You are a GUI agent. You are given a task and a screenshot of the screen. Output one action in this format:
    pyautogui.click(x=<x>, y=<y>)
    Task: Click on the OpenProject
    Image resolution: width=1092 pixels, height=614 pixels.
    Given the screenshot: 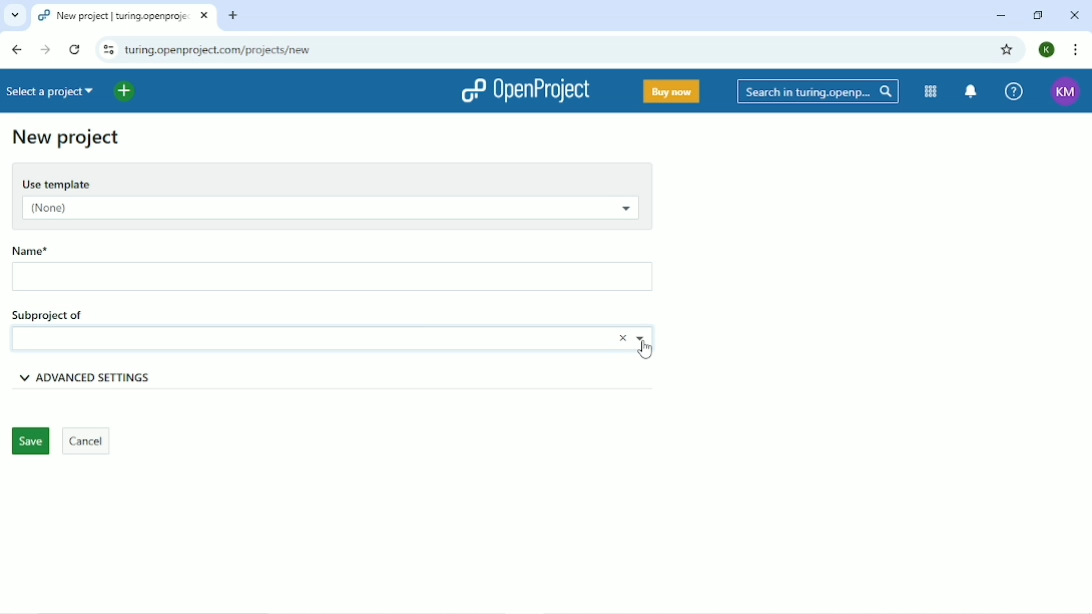 What is the action you would take?
    pyautogui.click(x=526, y=91)
    